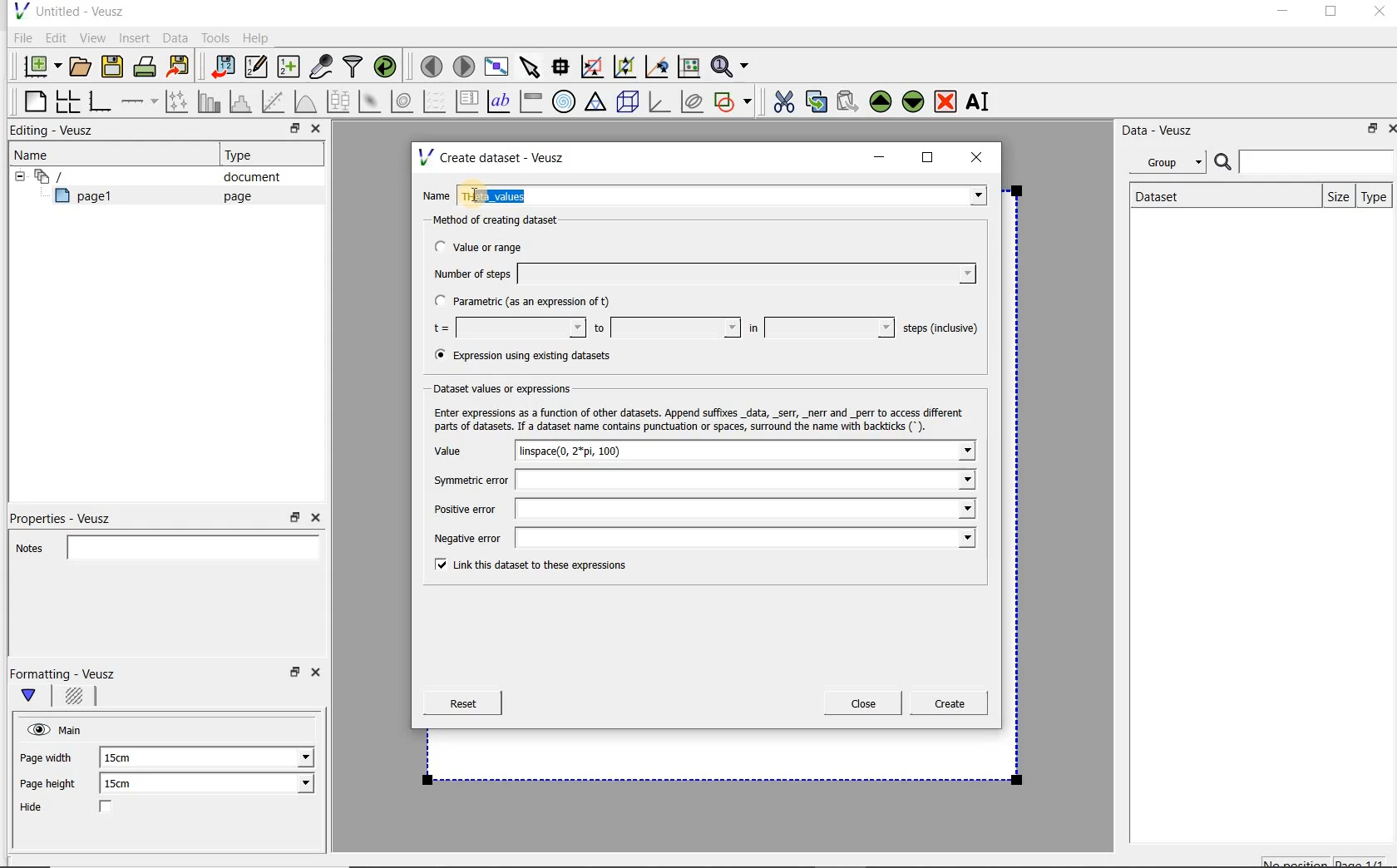 The width and height of the screenshot is (1397, 868). I want to click on move to the previous page, so click(432, 64).